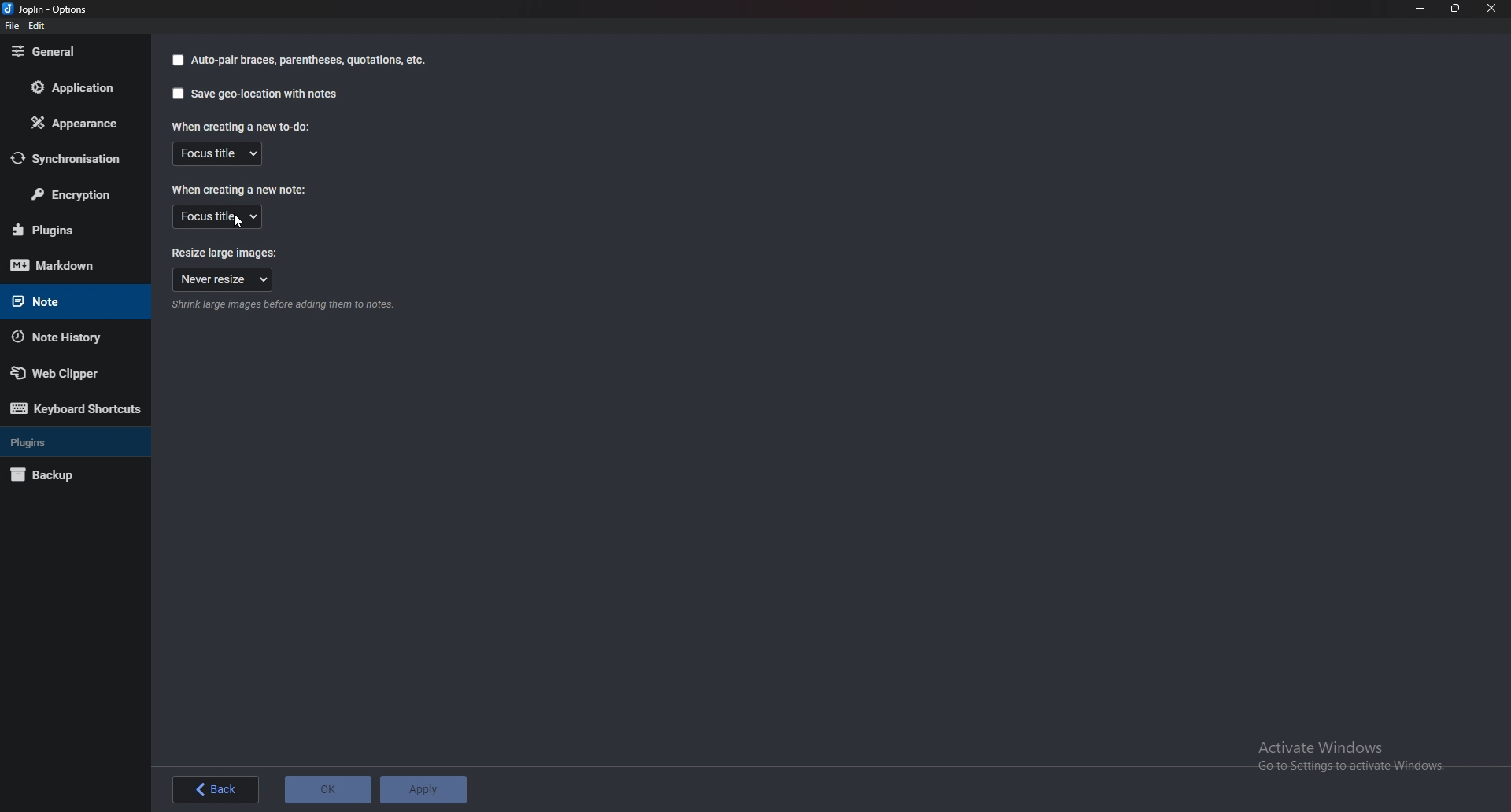  Describe the element at coordinates (222, 280) in the screenshot. I see `Never resize` at that location.